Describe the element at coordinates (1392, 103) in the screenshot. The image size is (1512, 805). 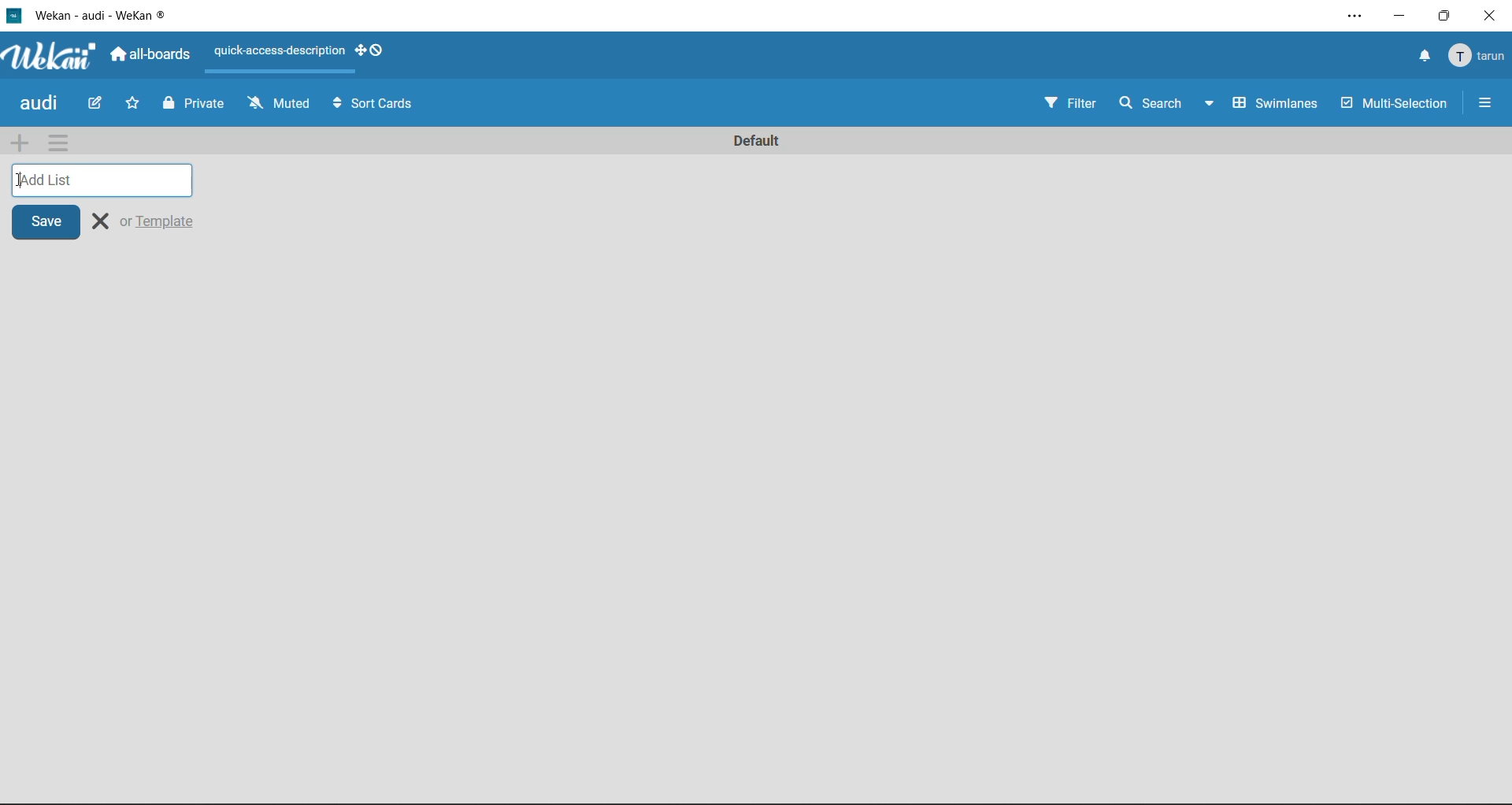
I see `multi selection` at that location.